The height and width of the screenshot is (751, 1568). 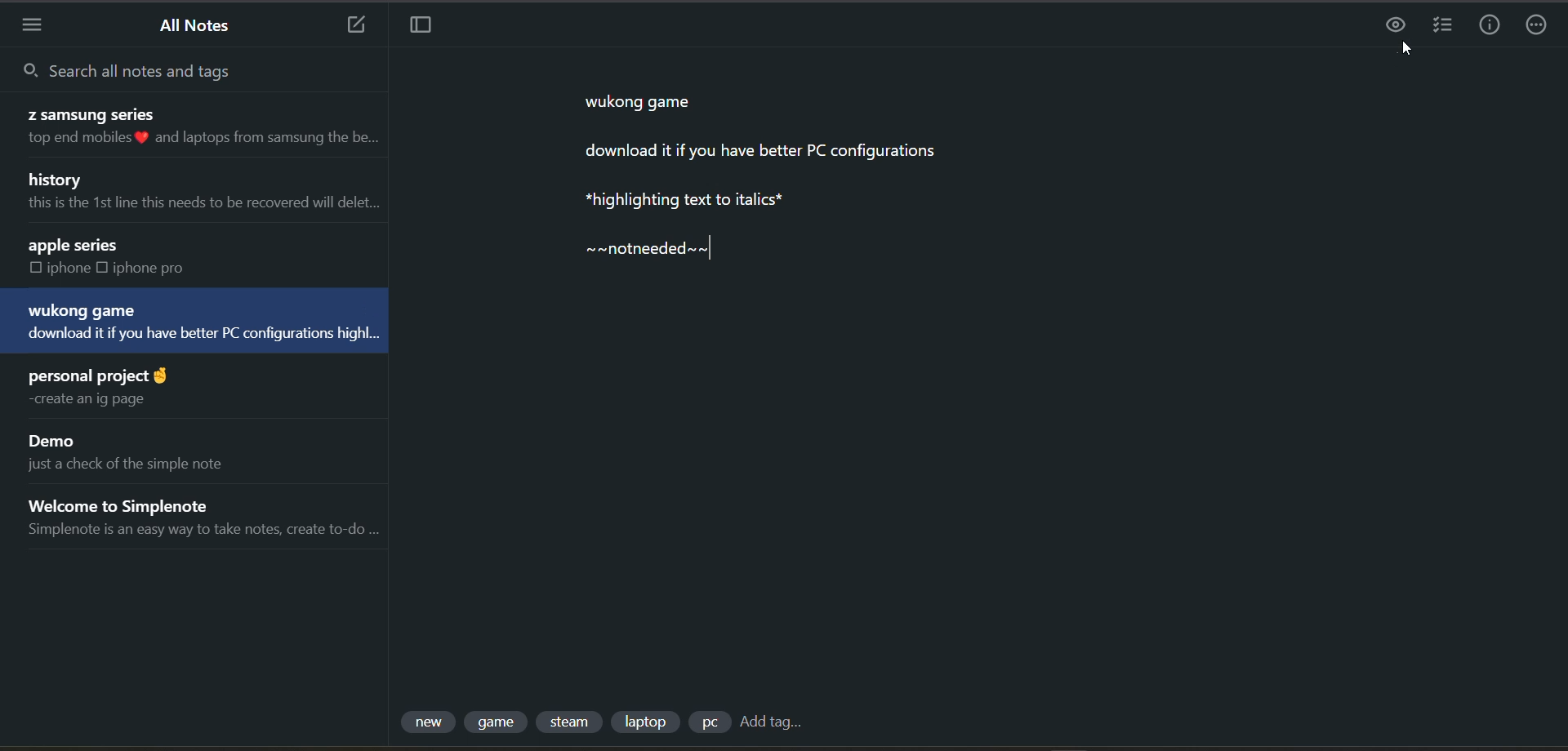 What do you see at coordinates (33, 24) in the screenshot?
I see `menu` at bounding box center [33, 24].